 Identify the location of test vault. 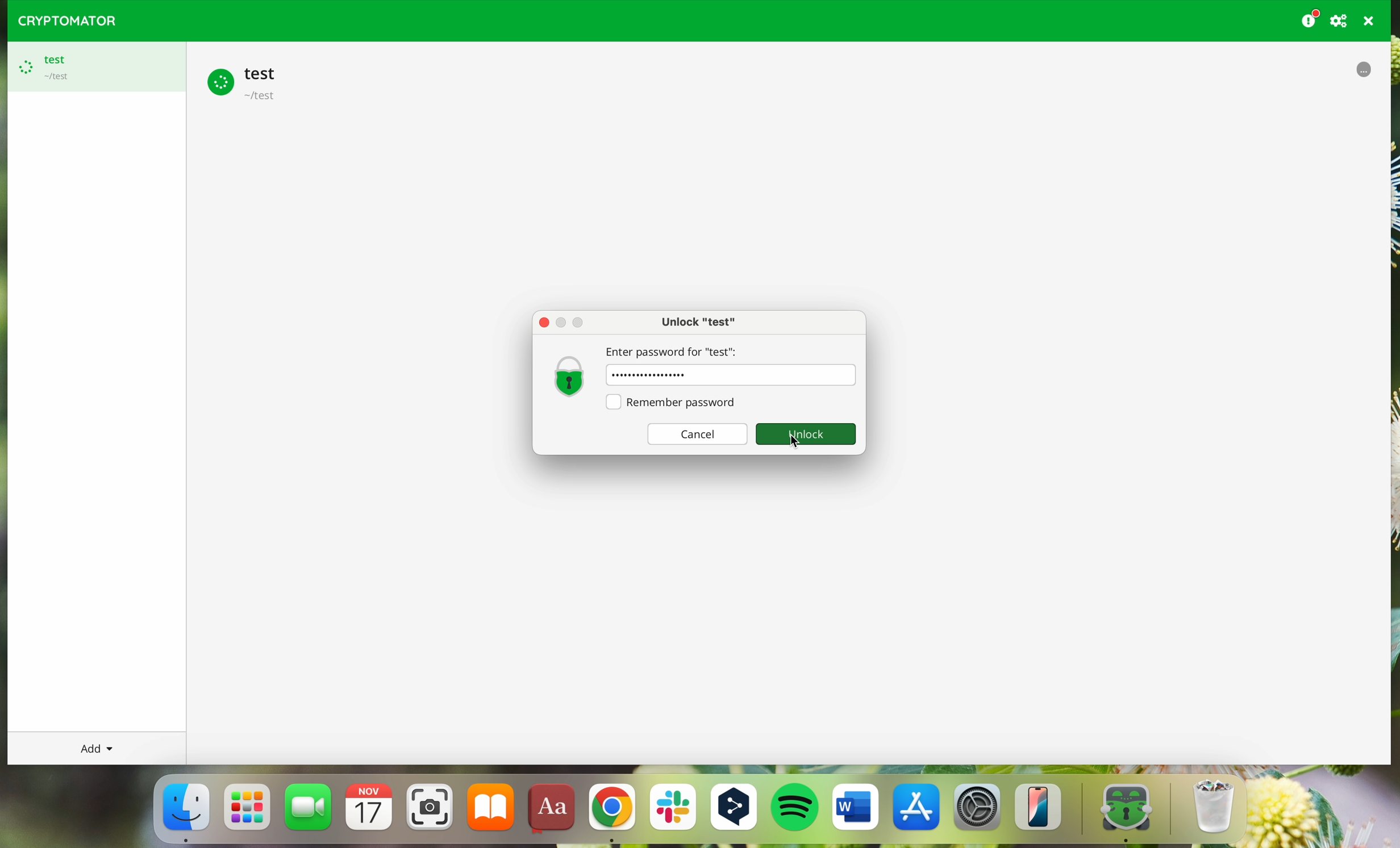
(247, 81).